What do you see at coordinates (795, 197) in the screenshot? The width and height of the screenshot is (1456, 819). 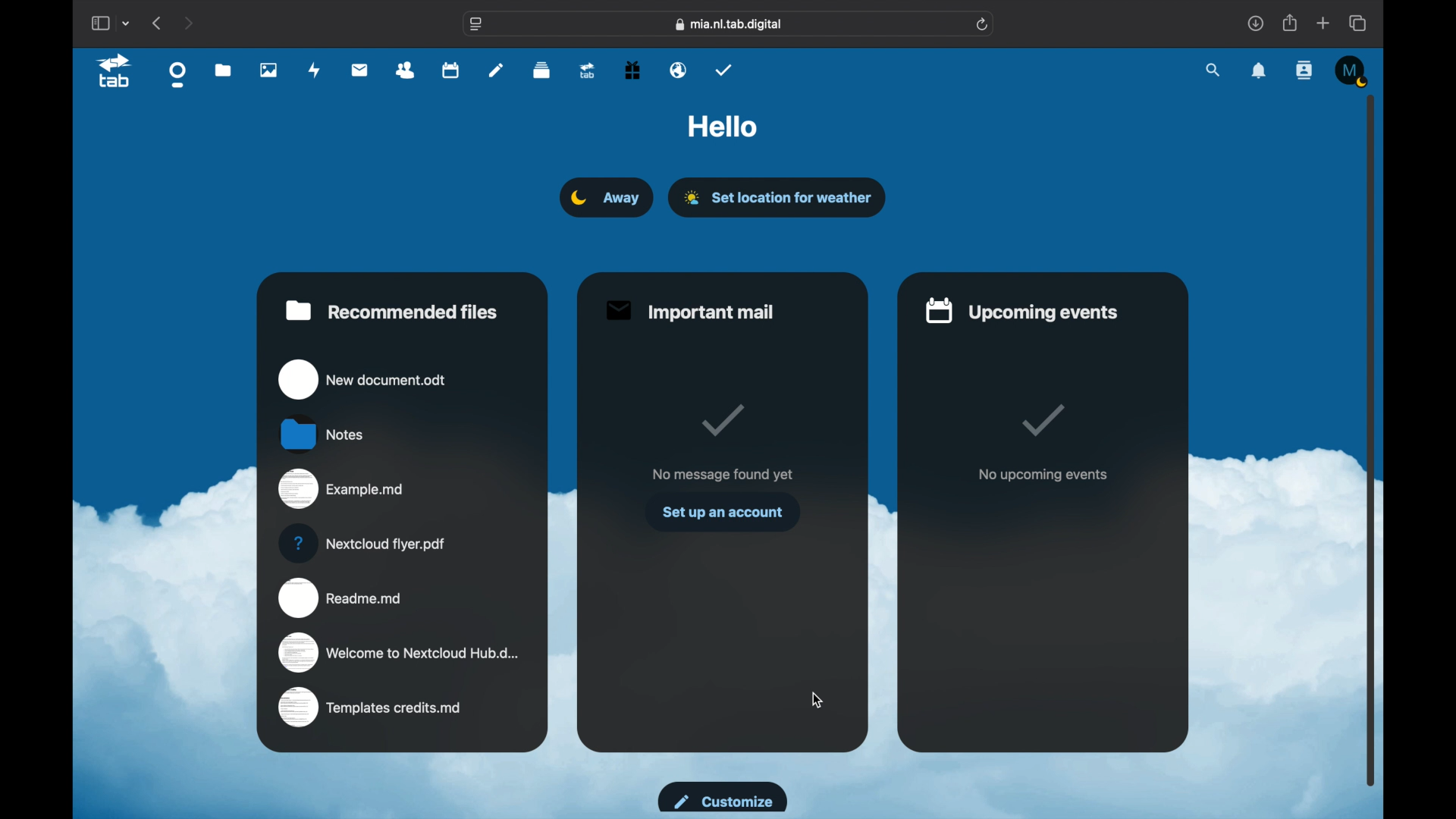 I see `set location for weather` at bounding box center [795, 197].